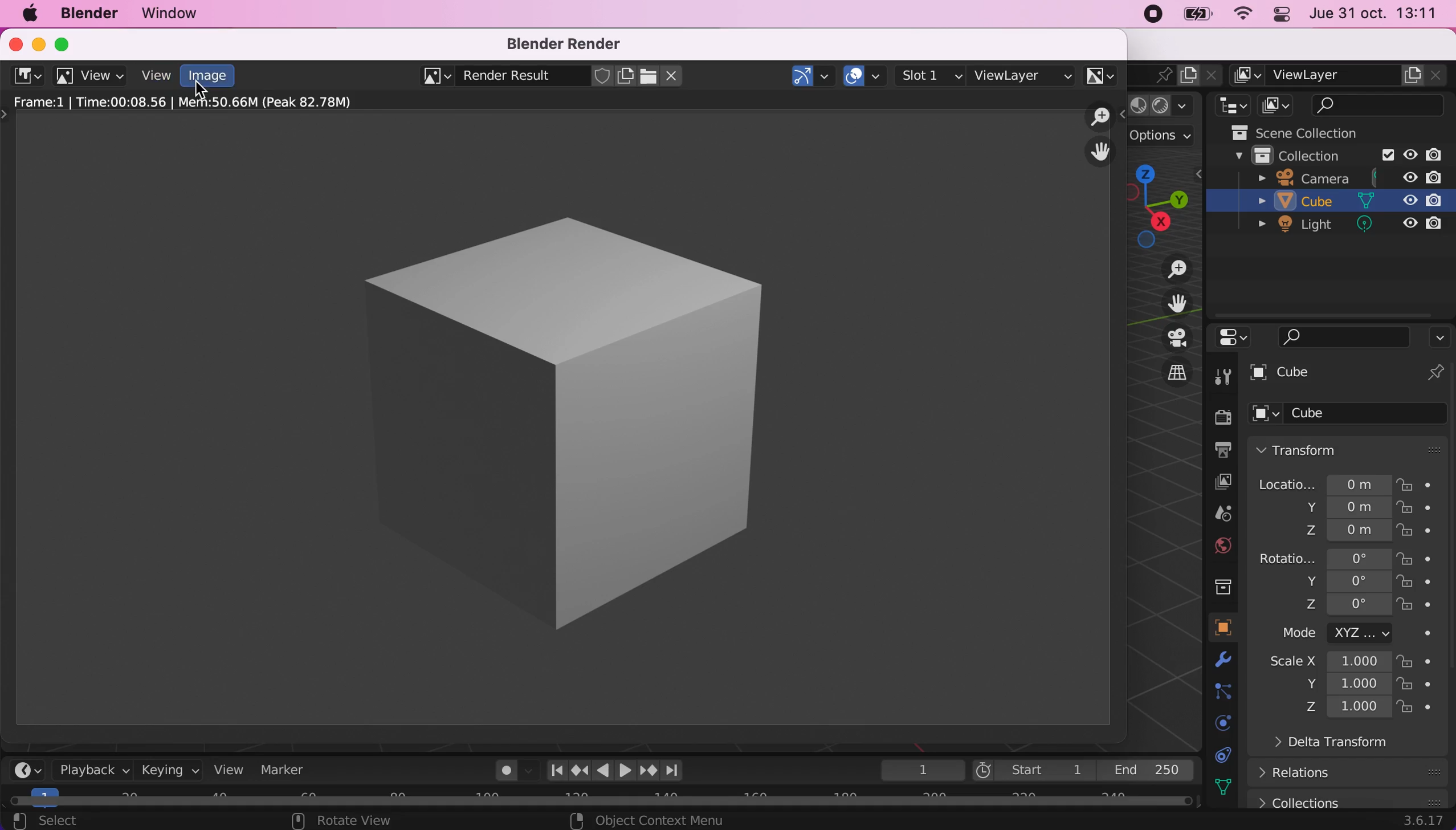 The width and height of the screenshot is (1456, 830). What do you see at coordinates (1218, 481) in the screenshot?
I see `view layer` at bounding box center [1218, 481].